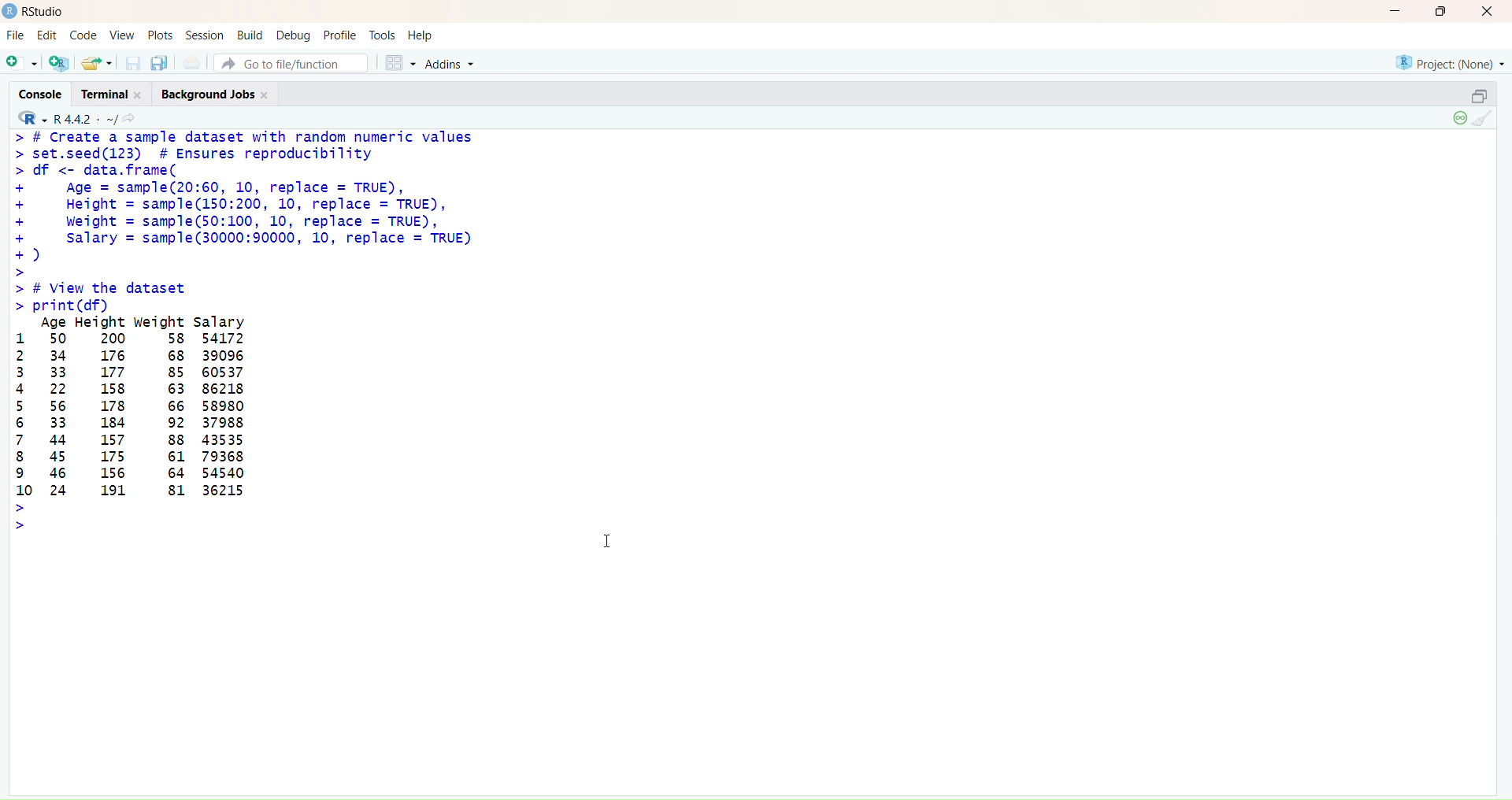  What do you see at coordinates (453, 64) in the screenshot?
I see `Addons` at bounding box center [453, 64].